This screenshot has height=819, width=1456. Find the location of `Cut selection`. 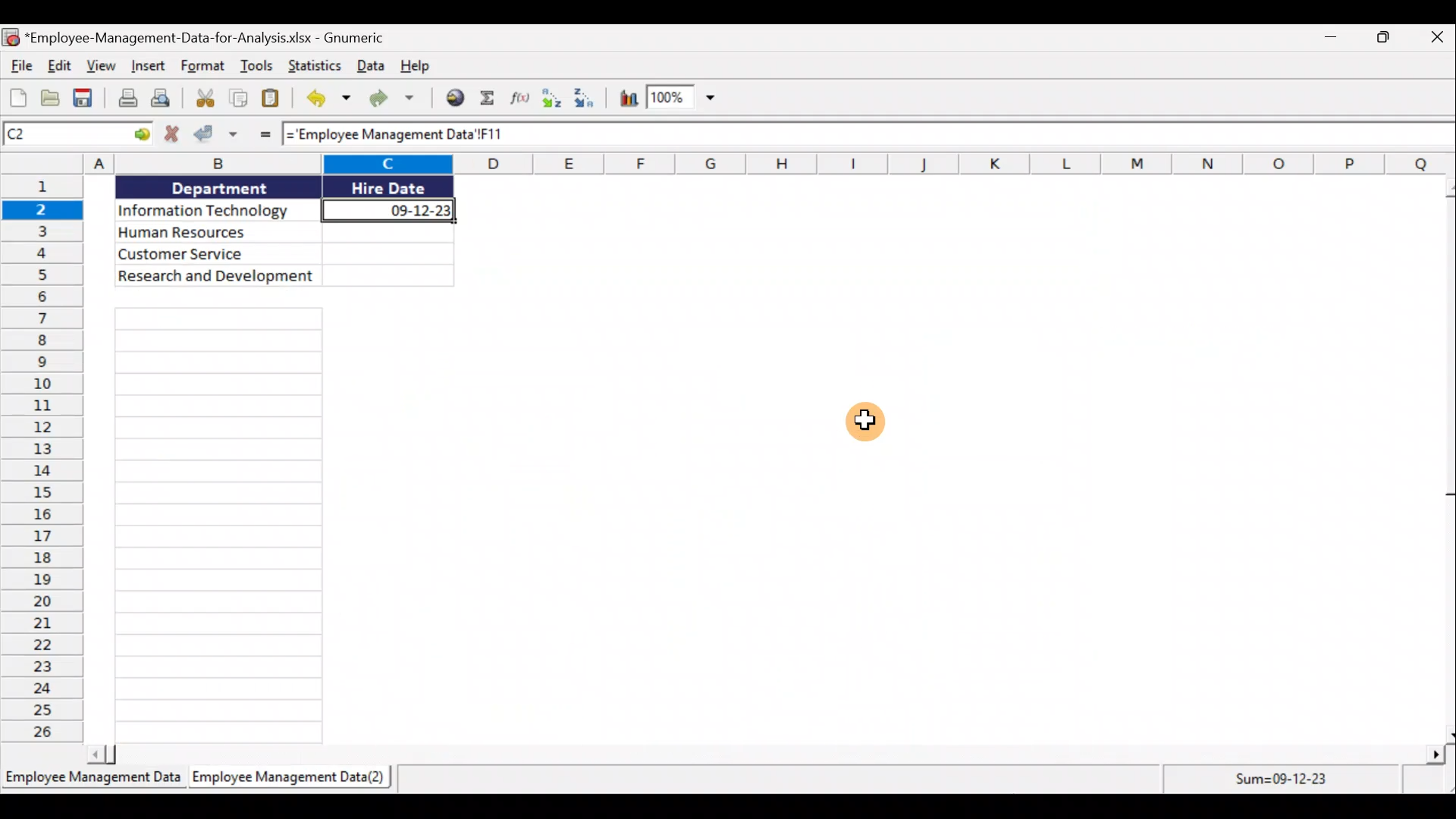

Cut selection is located at coordinates (204, 100).